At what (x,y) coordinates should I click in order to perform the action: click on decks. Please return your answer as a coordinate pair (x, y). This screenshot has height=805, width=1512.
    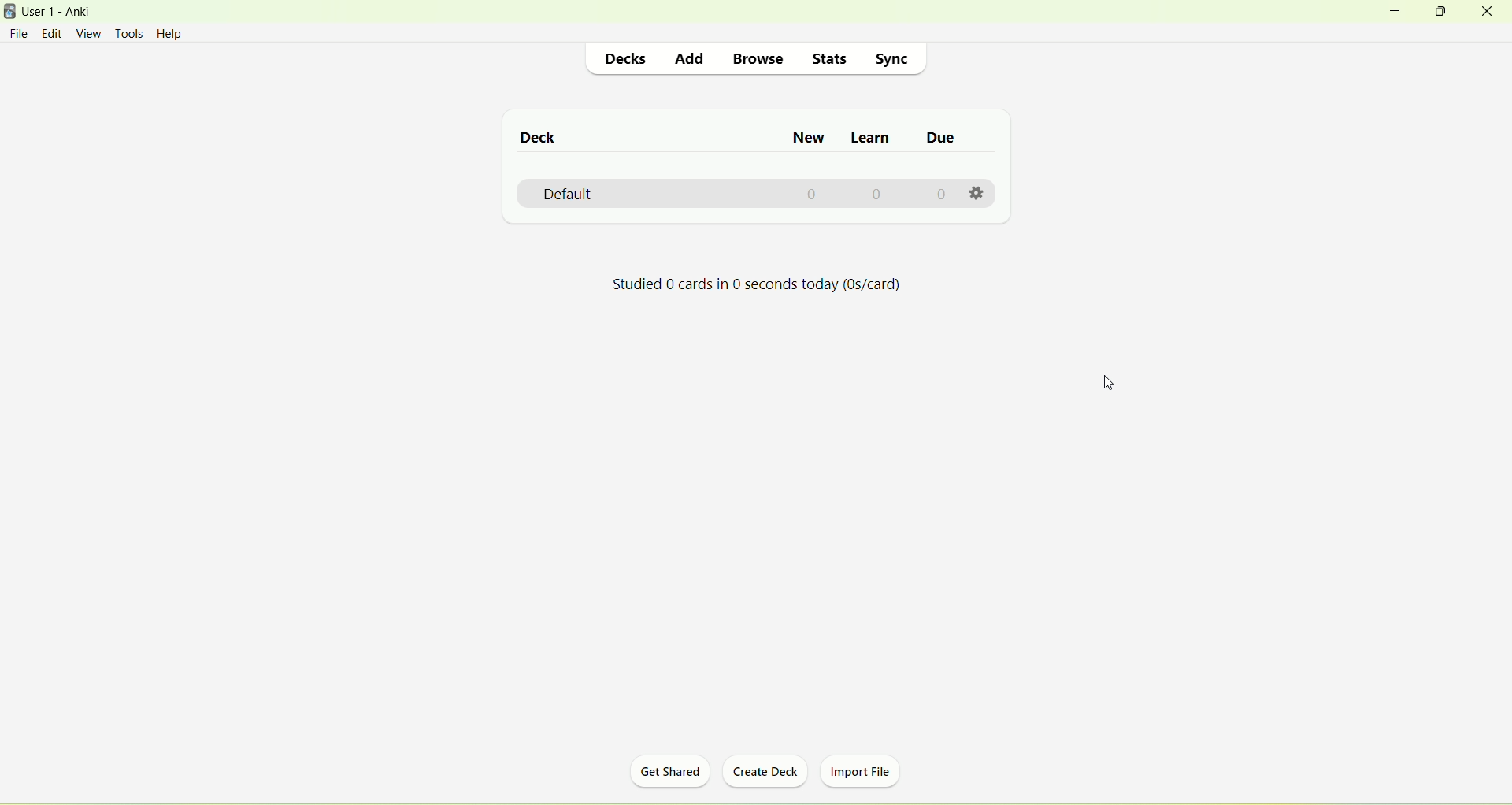
    Looking at the image, I should click on (621, 61).